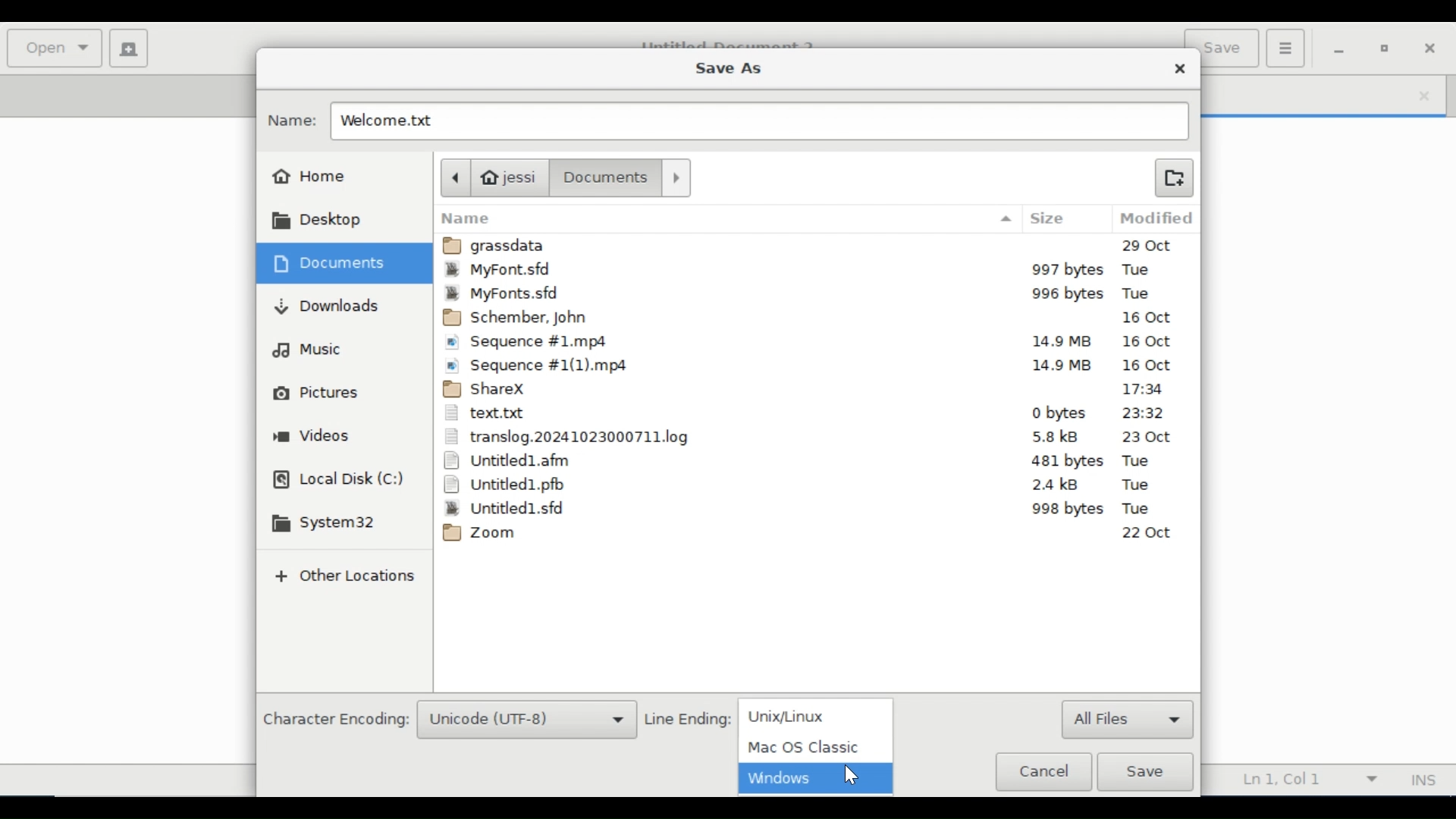 The image size is (1456, 819). I want to click on Name, so click(729, 218).